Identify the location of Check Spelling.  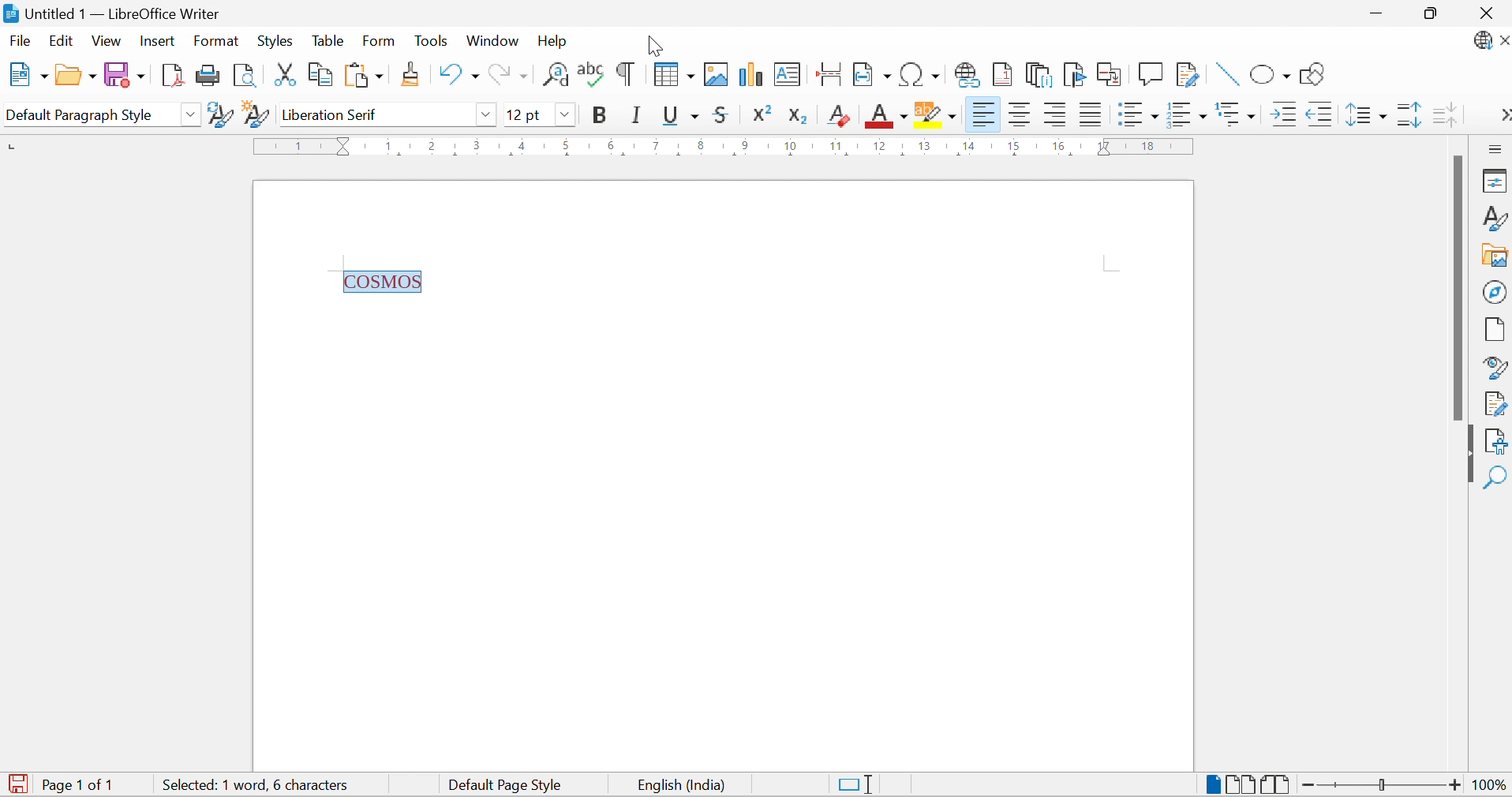
(591, 75).